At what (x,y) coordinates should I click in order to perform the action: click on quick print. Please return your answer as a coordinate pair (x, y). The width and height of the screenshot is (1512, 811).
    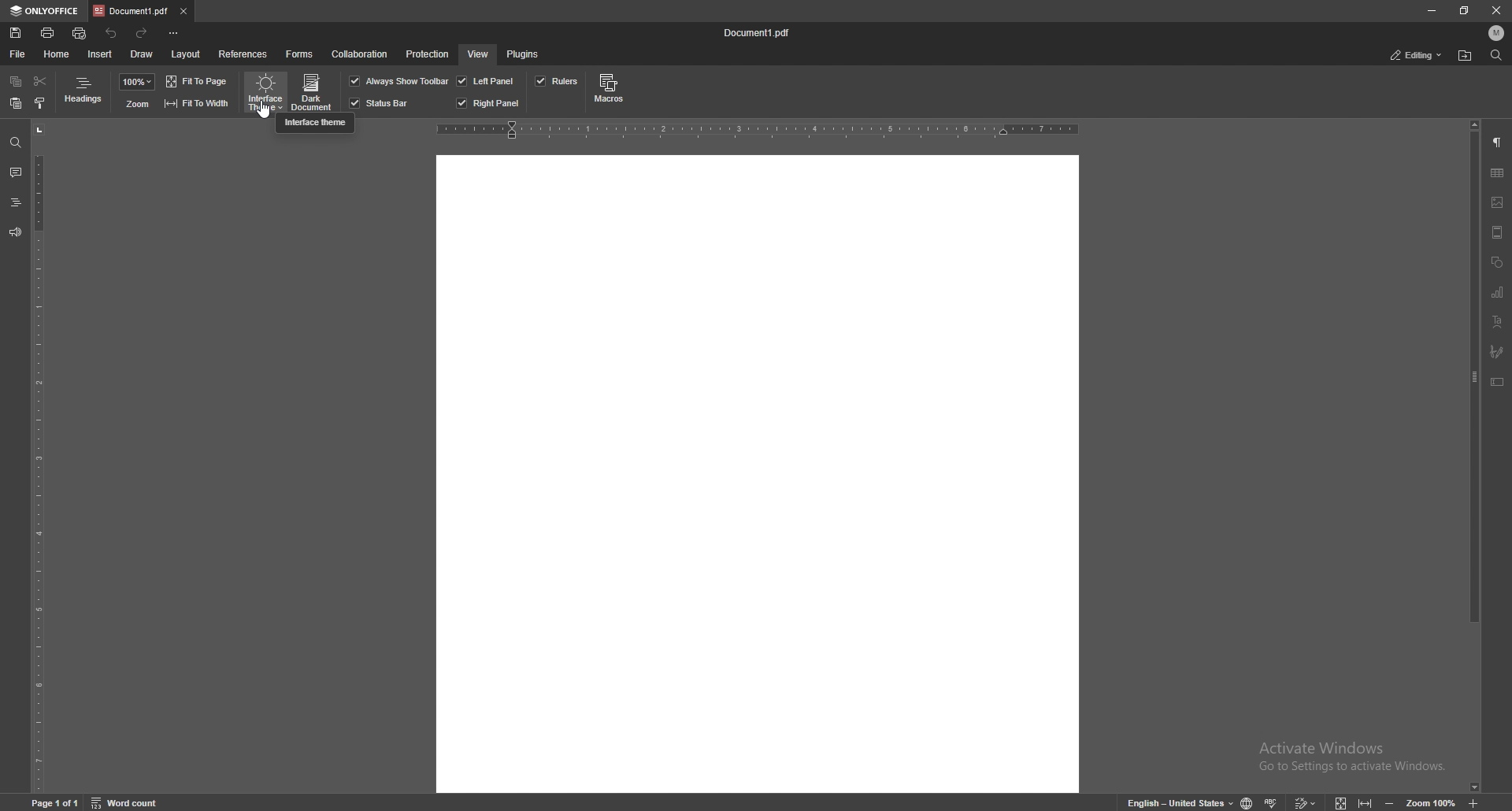
    Looking at the image, I should click on (80, 34).